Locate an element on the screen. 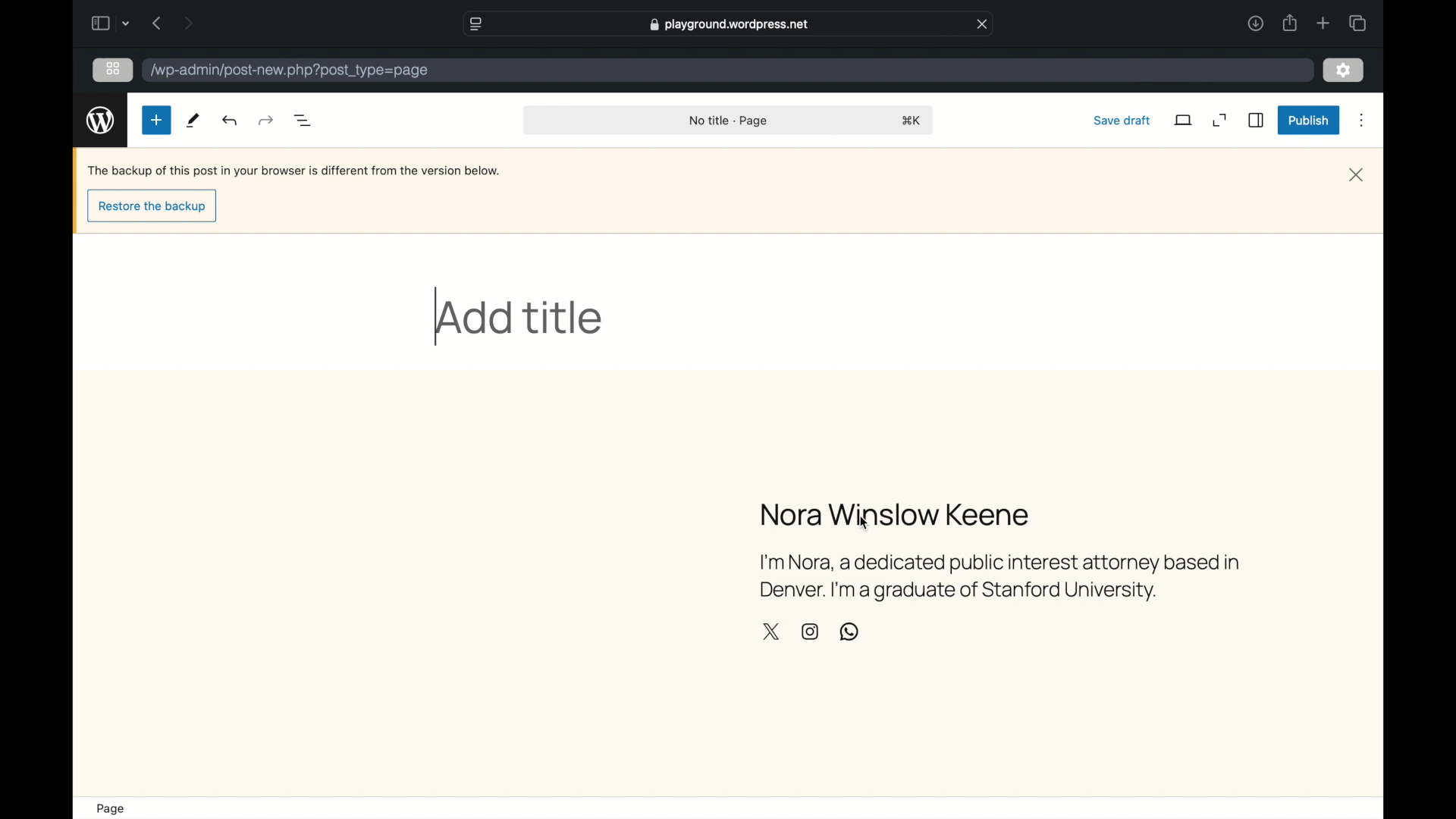  cursor is located at coordinates (864, 525).